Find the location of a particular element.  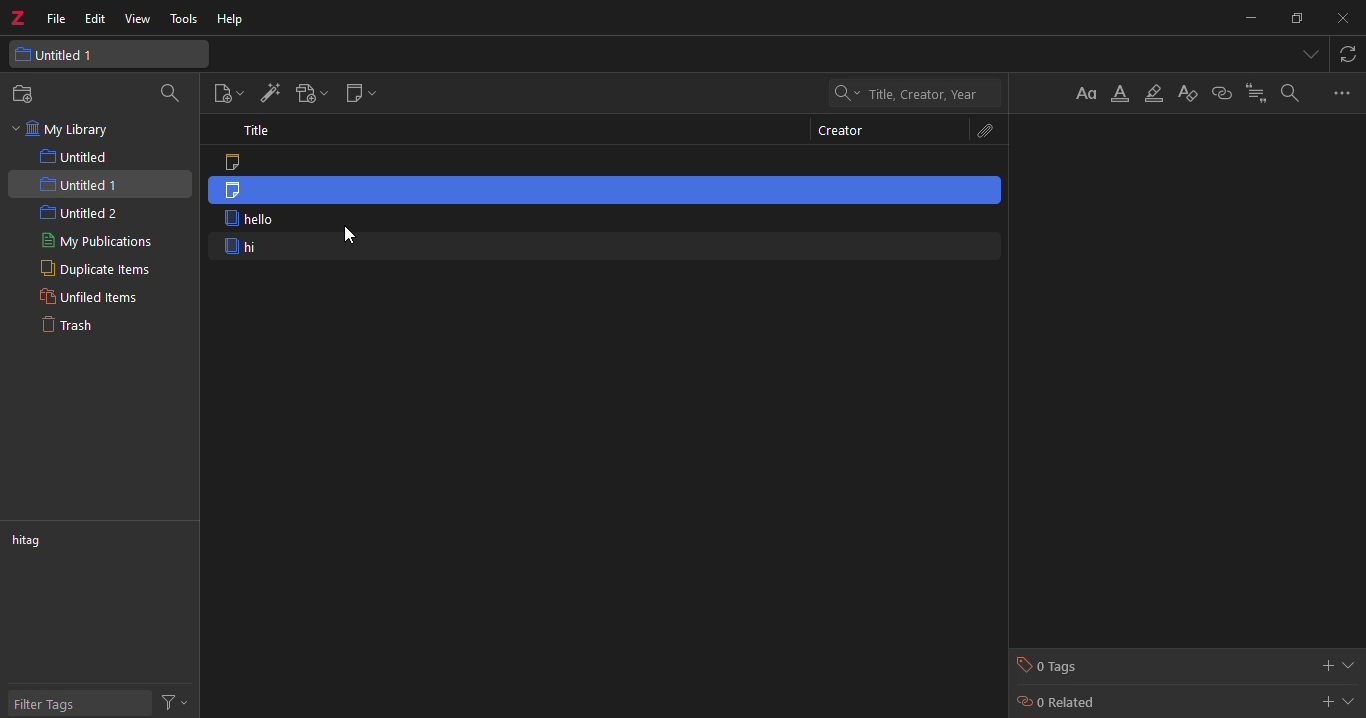

sync is located at coordinates (1347, 54).